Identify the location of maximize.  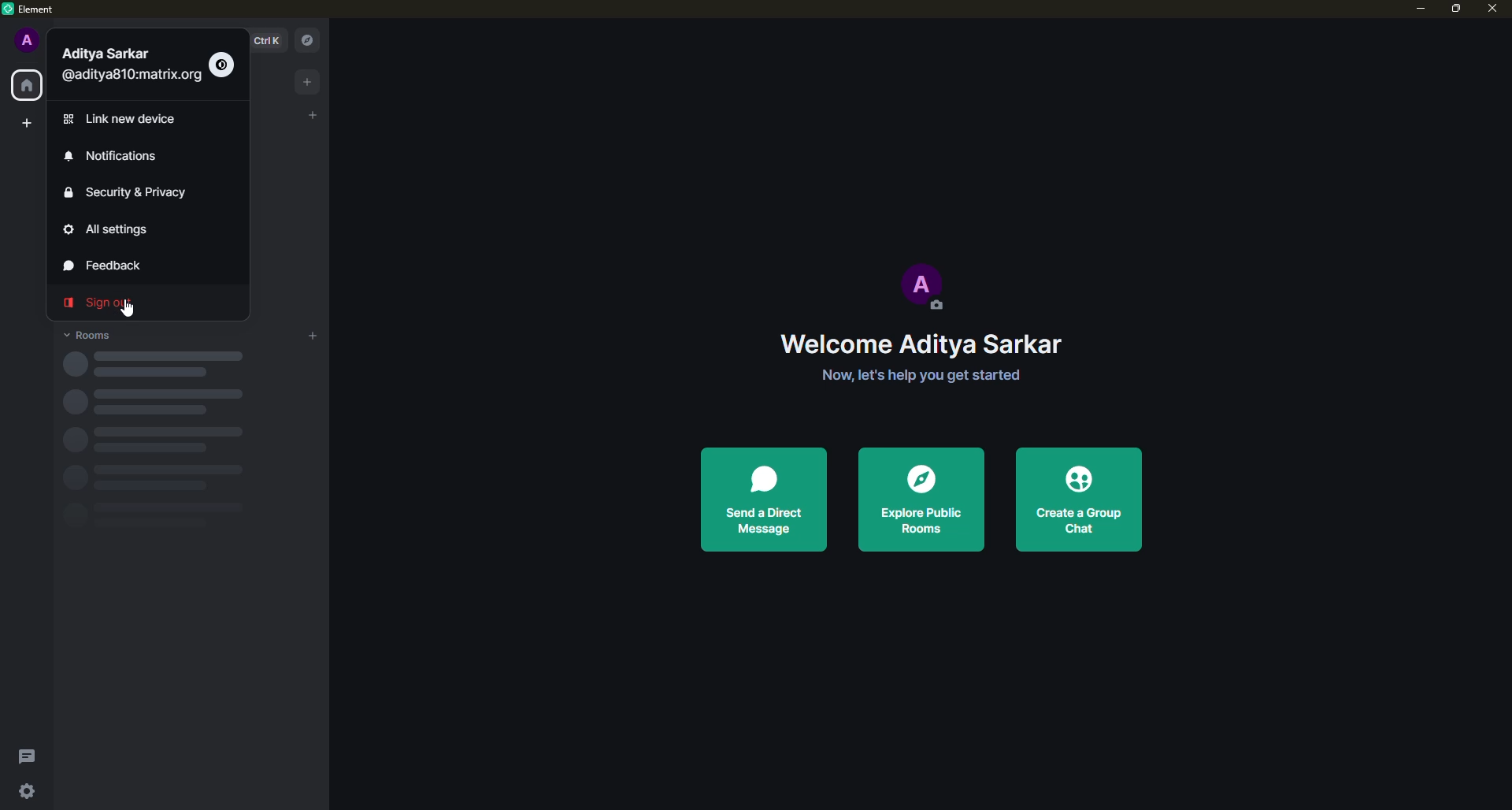
(1458, 10).